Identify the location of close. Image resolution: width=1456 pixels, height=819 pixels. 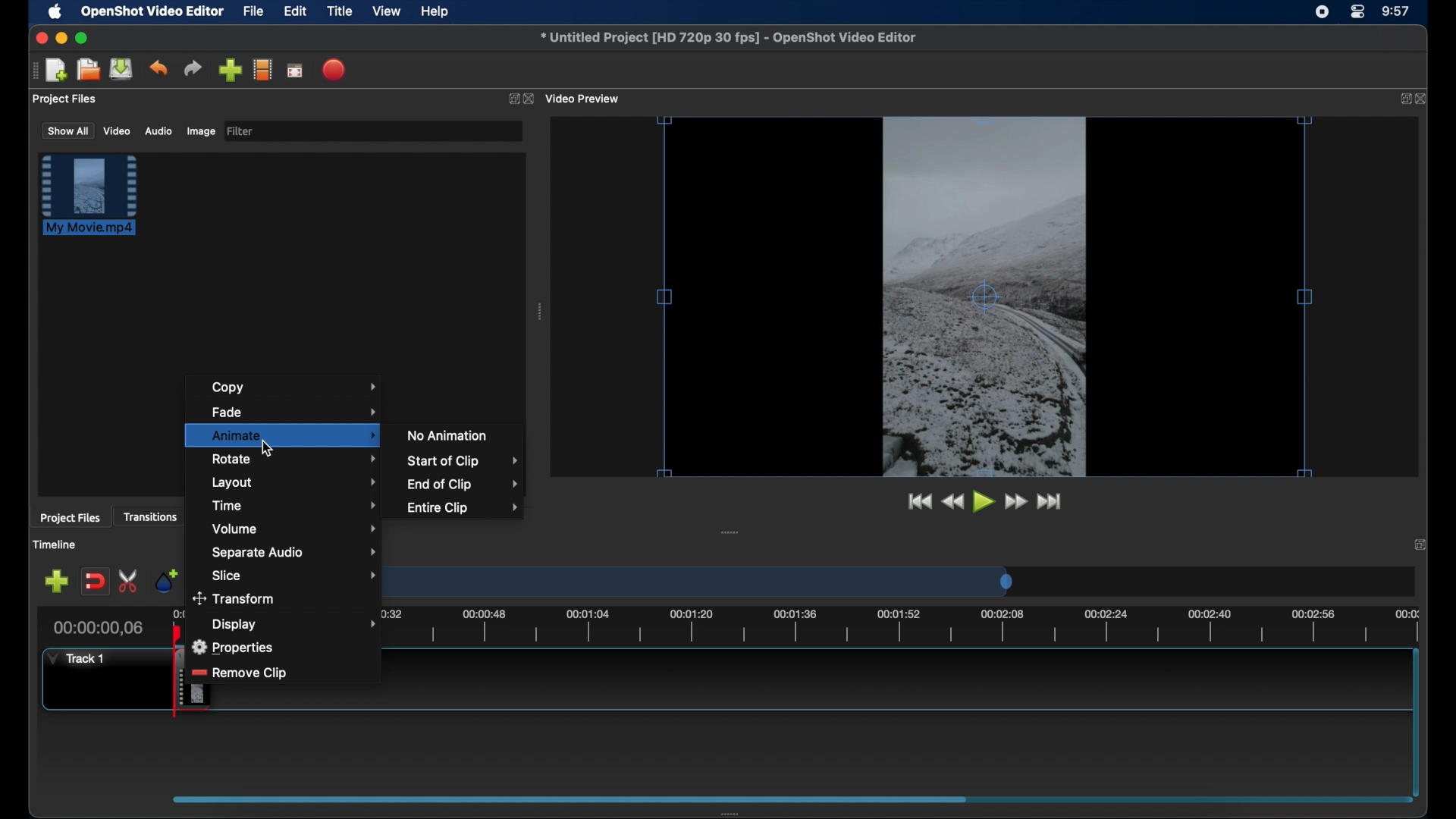
(1423, 99).